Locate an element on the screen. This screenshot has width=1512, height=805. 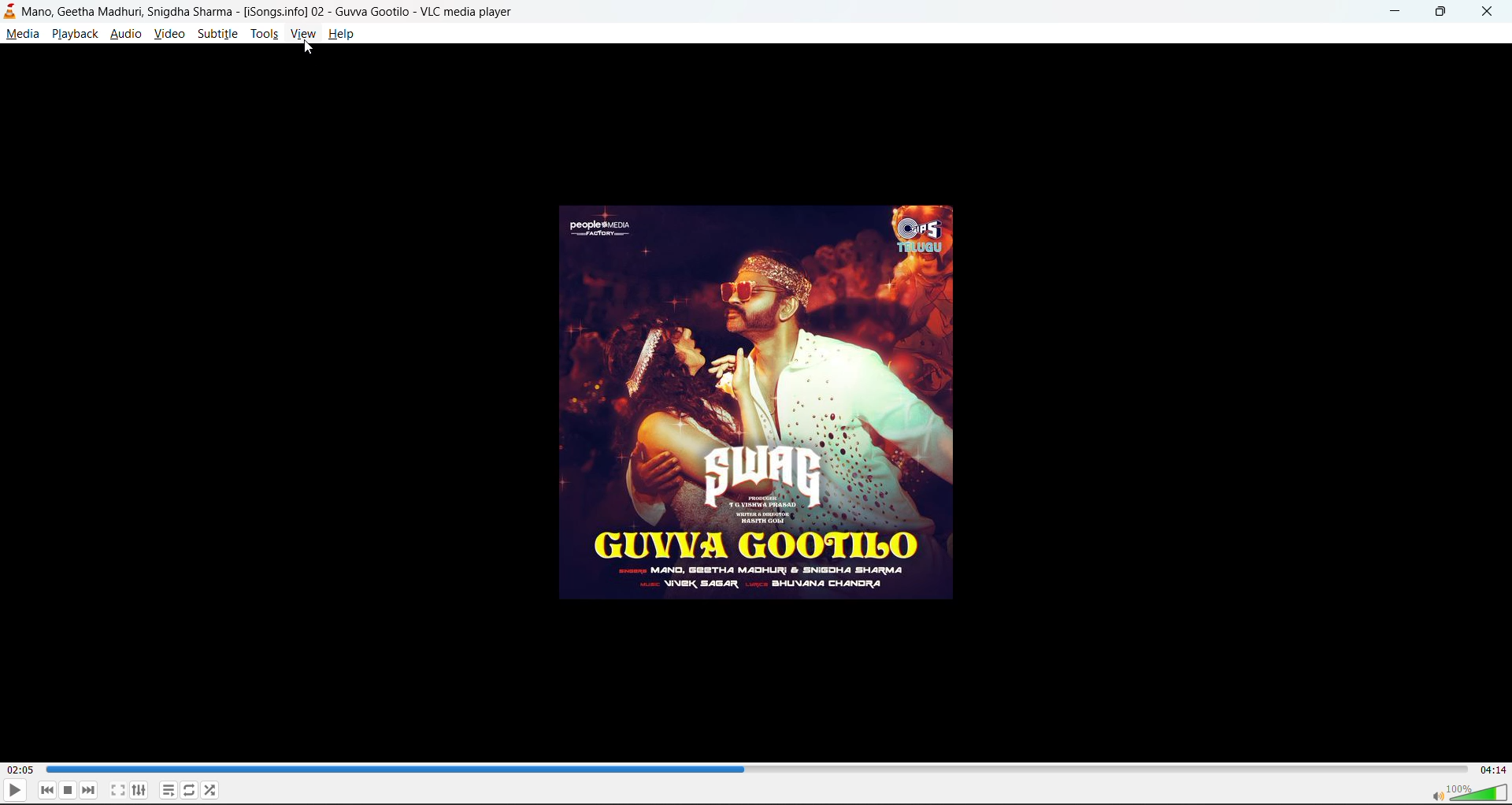
view is located at coordinates (304, 33).